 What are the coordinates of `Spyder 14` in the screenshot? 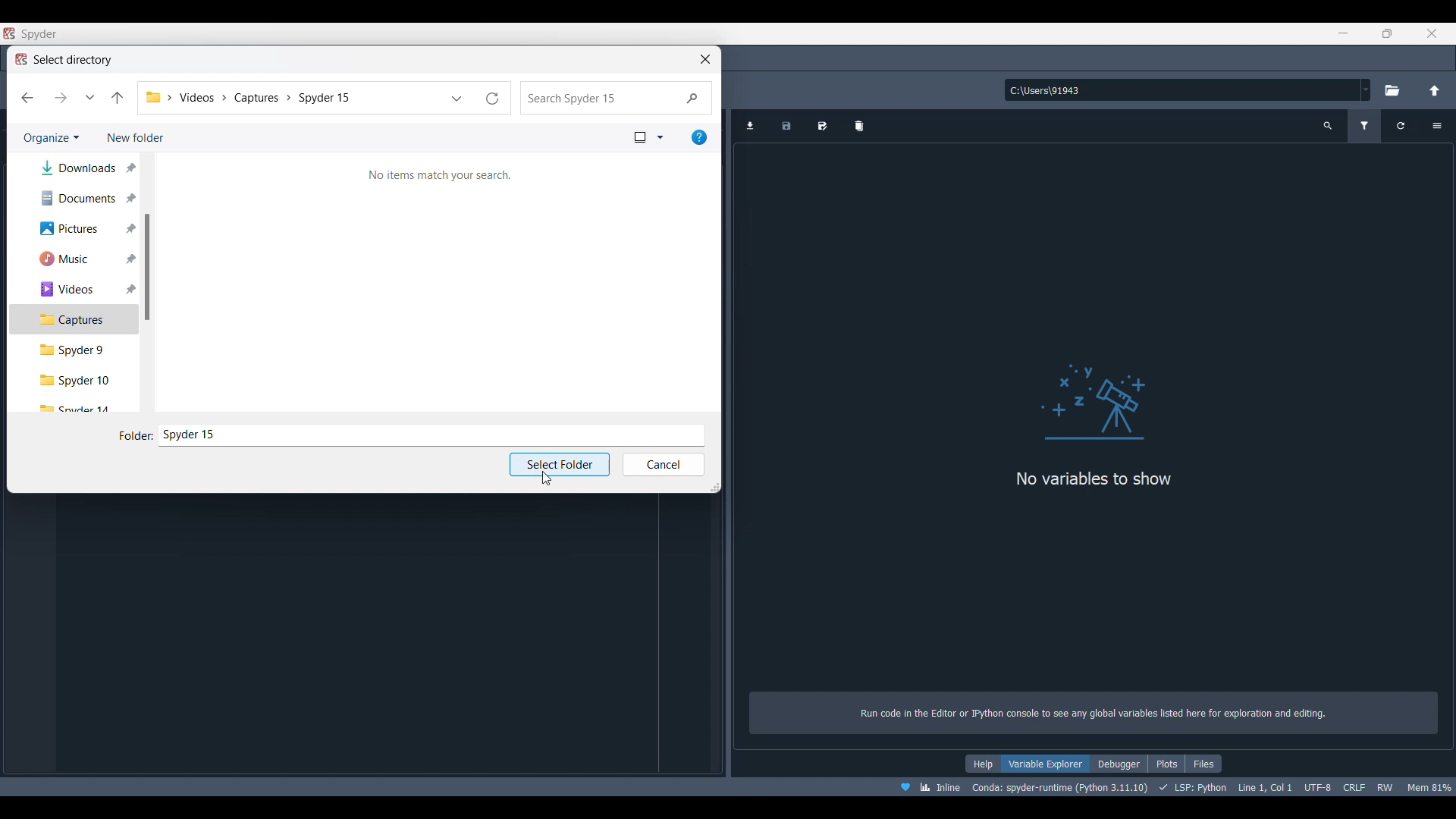 It's located at (77, 407).